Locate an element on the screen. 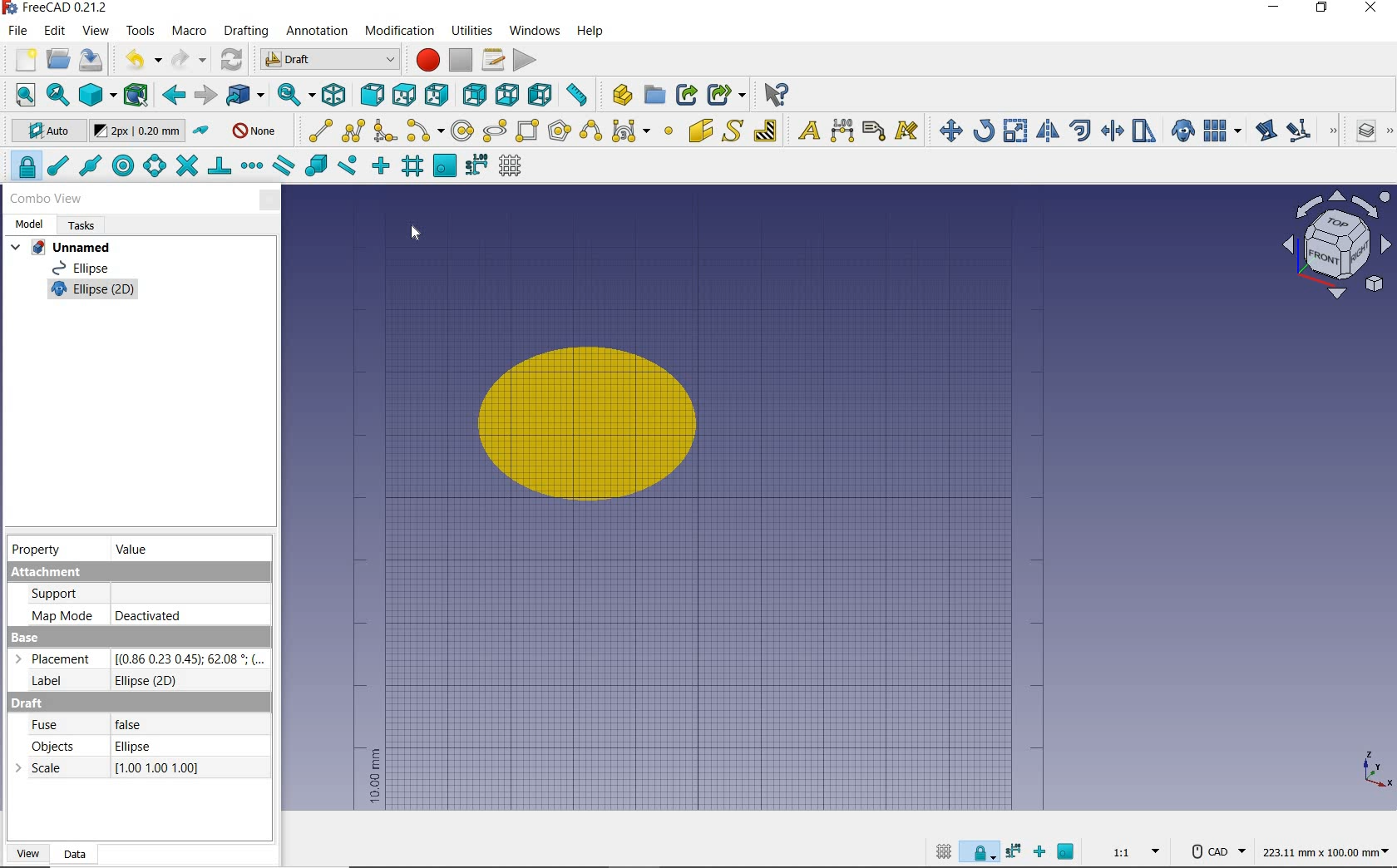 The image size is (1397, 868). what's this is located at coordinates (776, 93).